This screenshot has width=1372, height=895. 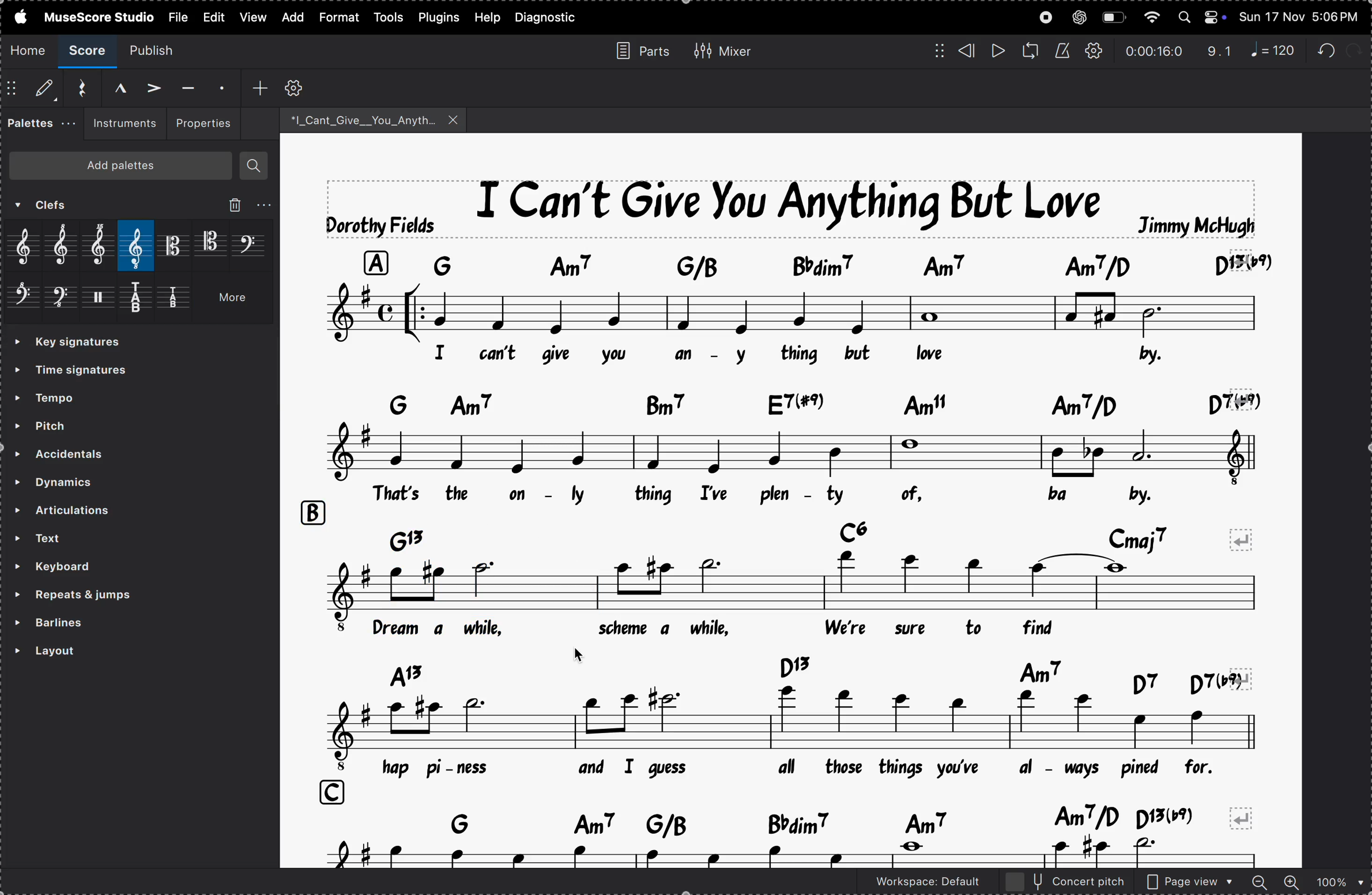 I want to click on lyrics, so click(x=812, y=769).